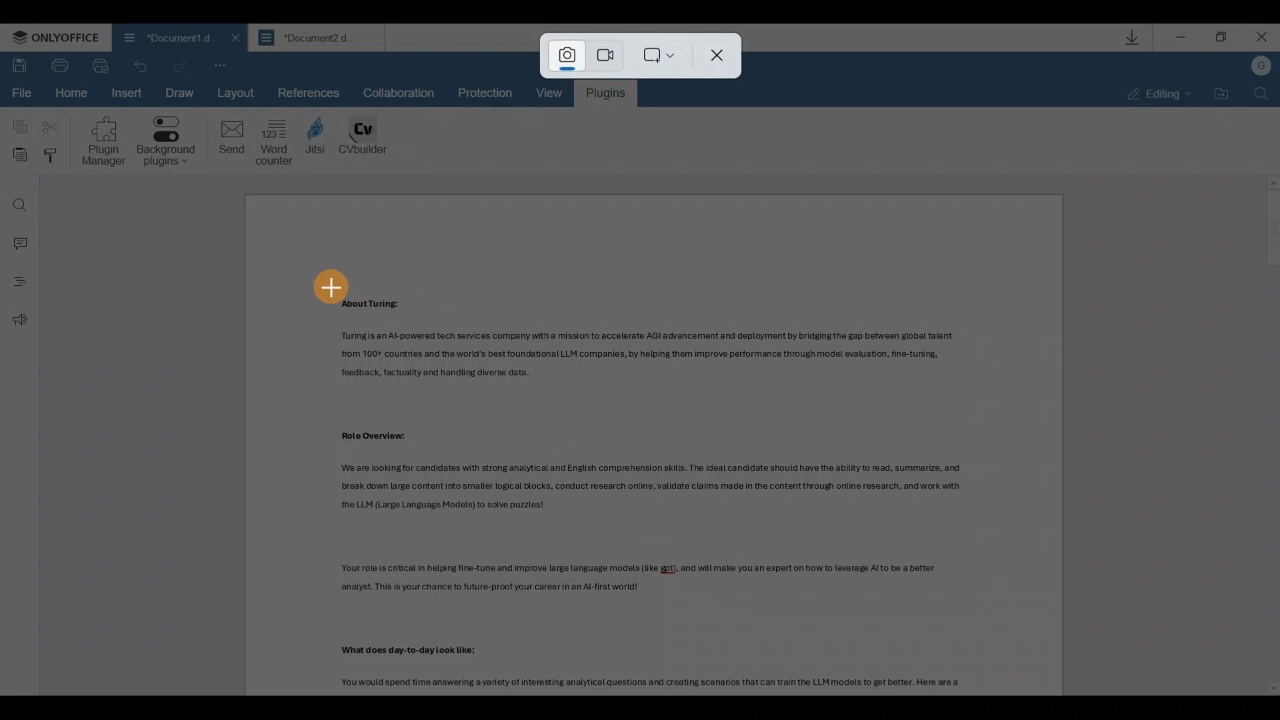 The image size is (1280, 720). I want to click on Snip, so click(605, 58).